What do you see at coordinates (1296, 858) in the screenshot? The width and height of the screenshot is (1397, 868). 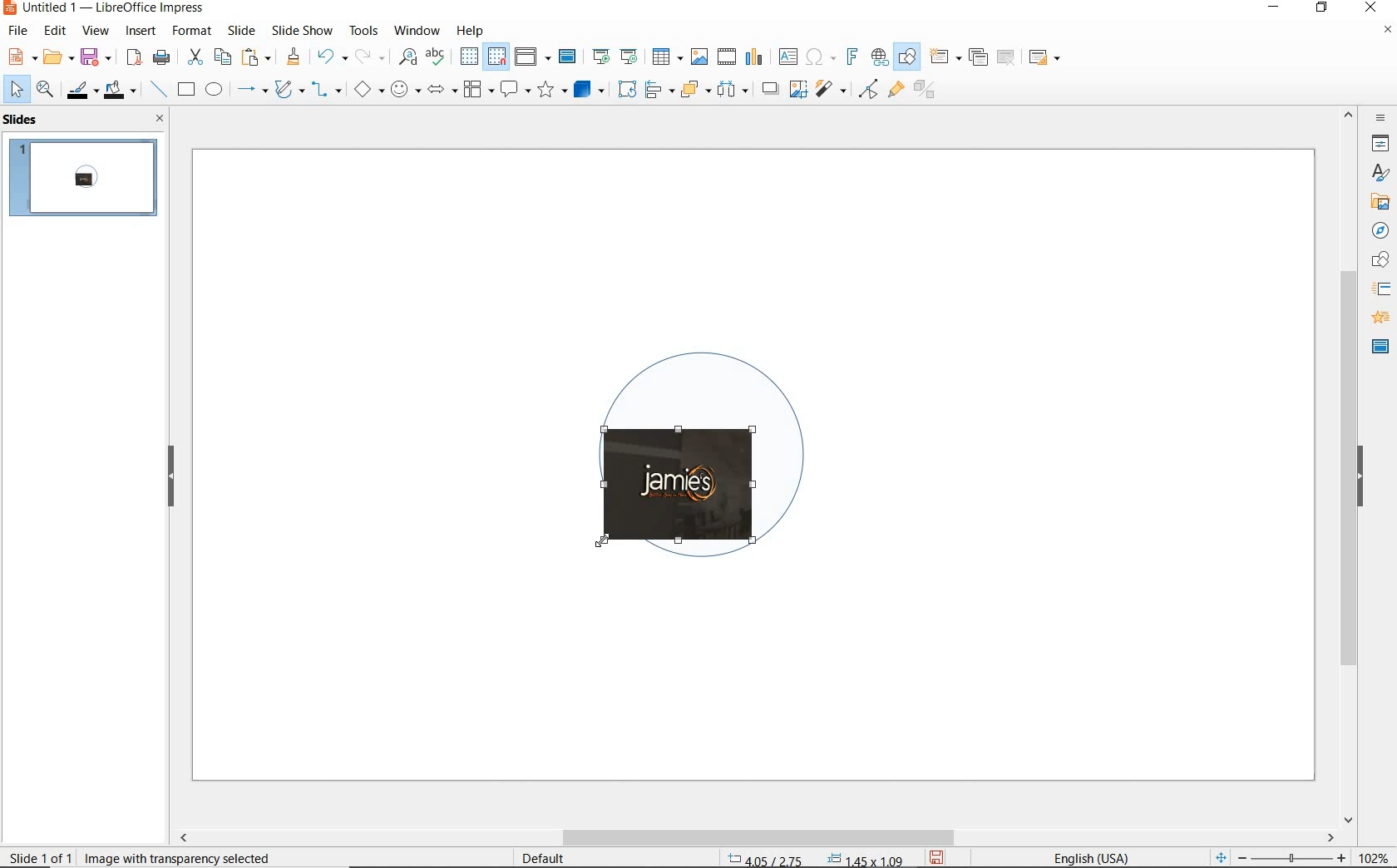 I see `zoom` at bounding box center [1296, 858].